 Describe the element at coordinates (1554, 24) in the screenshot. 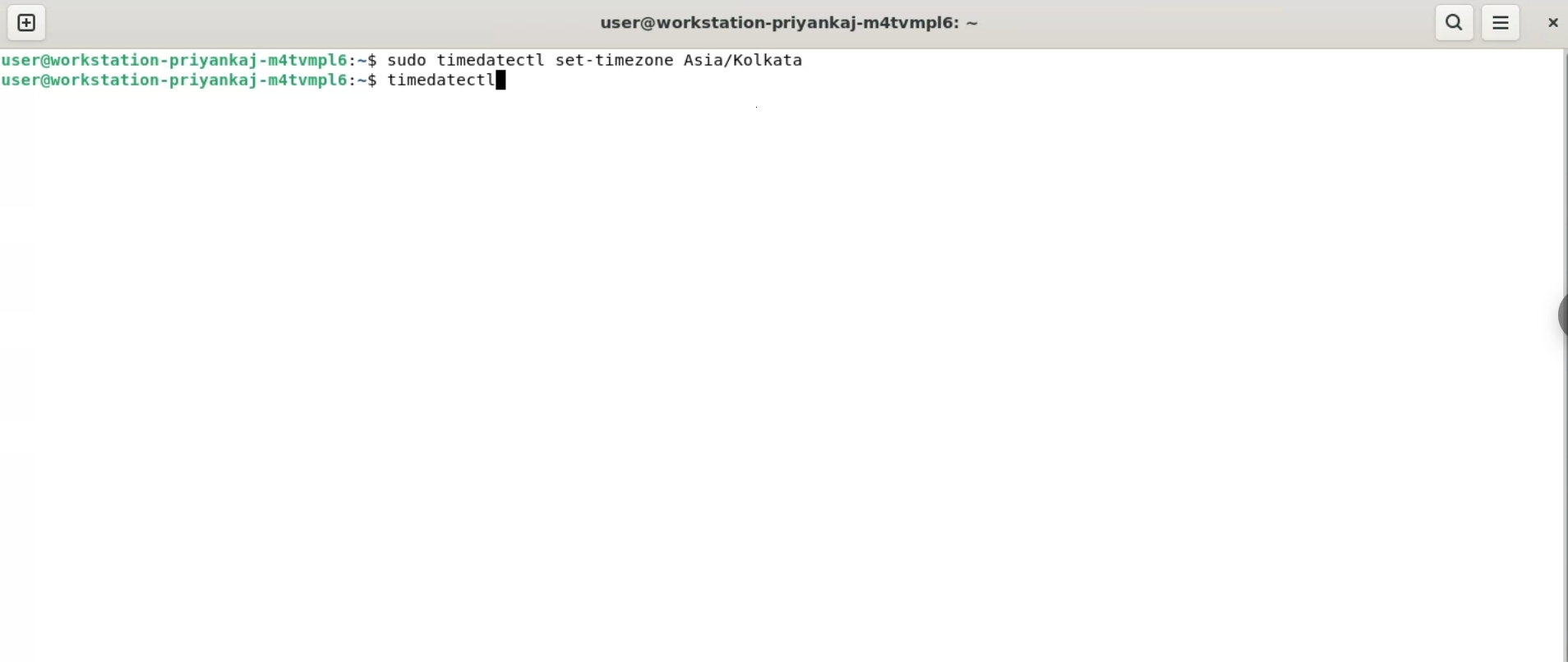

I see `close` at that location.